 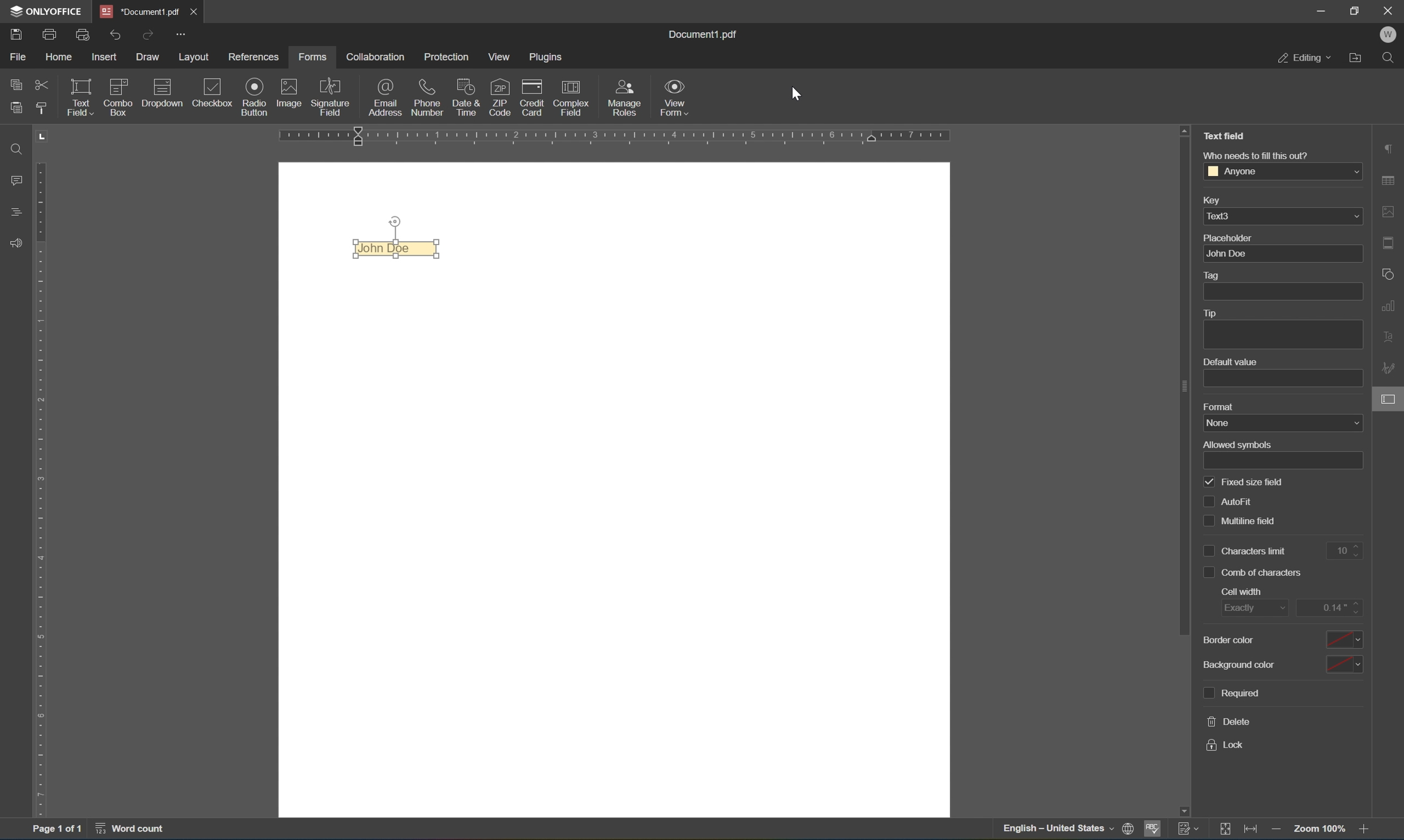 What do you see at coordinates (1389, 10) in the screenshot?
I see `close` at bounding box center [1389, 10].